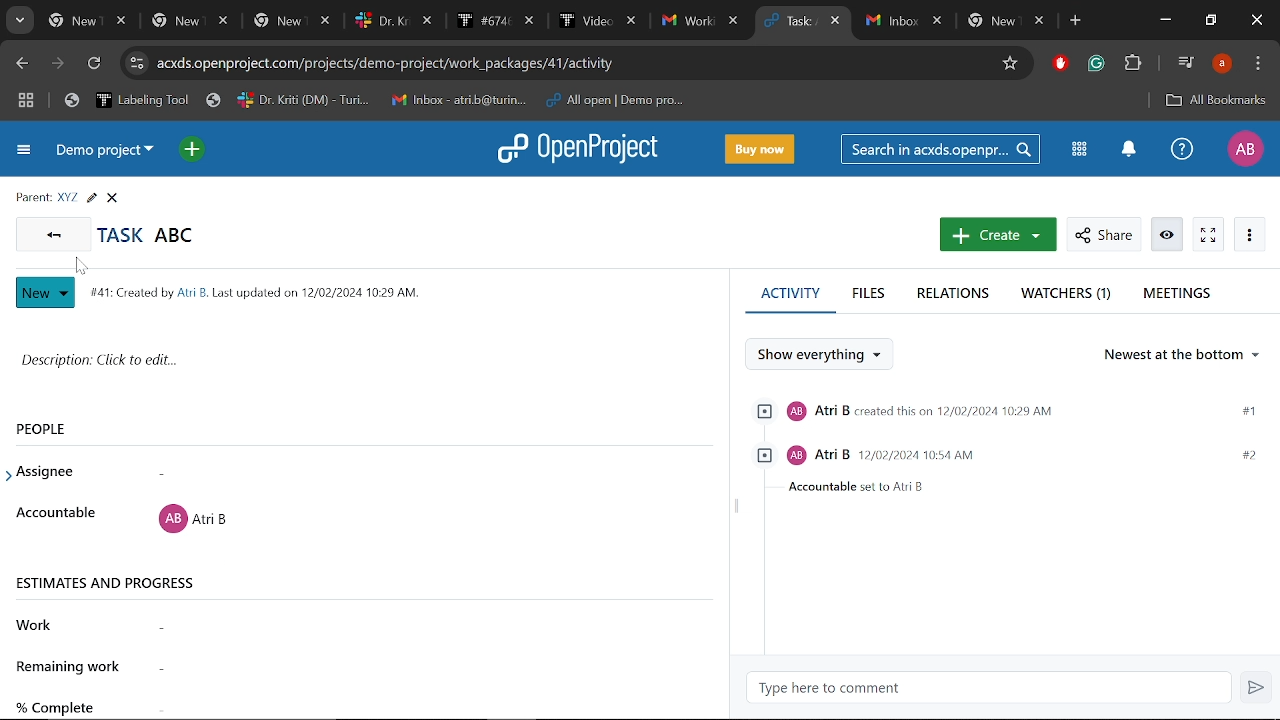  What do you see at coordinates (65, 510) in the screenshot?
I see `Accountable` at bounding box center [65, 510].